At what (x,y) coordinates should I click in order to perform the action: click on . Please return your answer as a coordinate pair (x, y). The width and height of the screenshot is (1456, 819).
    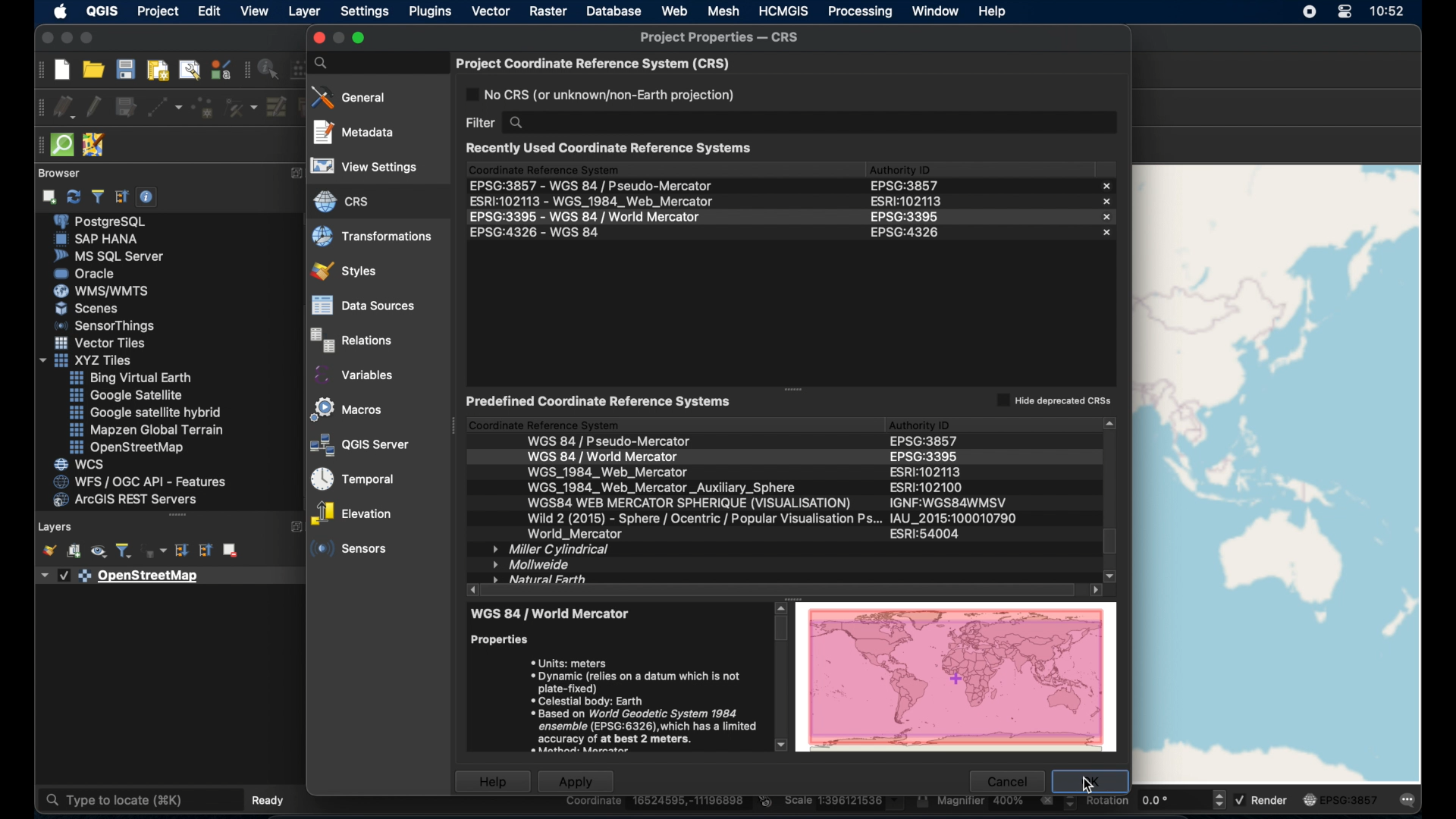
    Looking at the image, I should click on (94, 310).